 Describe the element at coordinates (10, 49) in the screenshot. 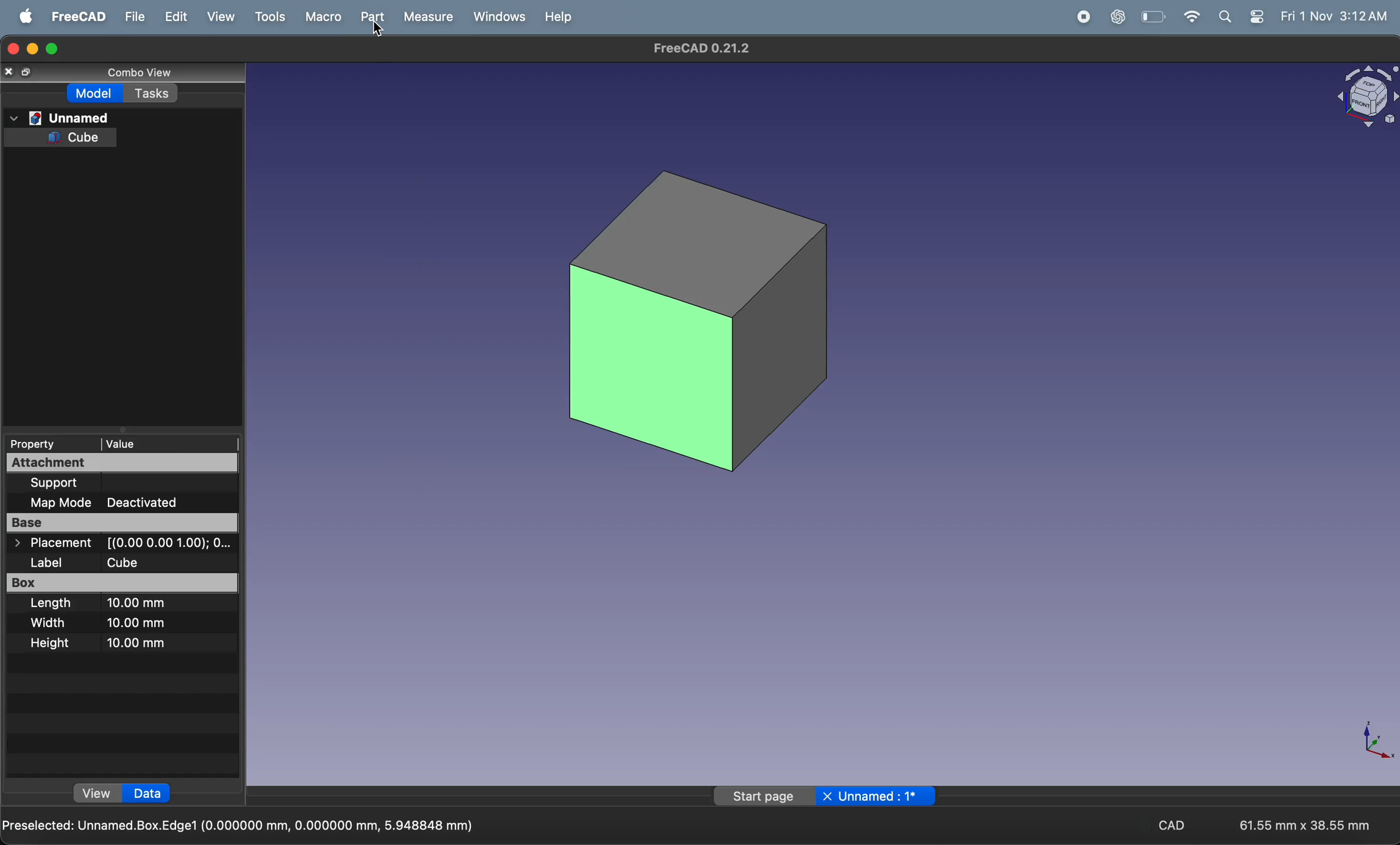

I see `closing window` at that location.